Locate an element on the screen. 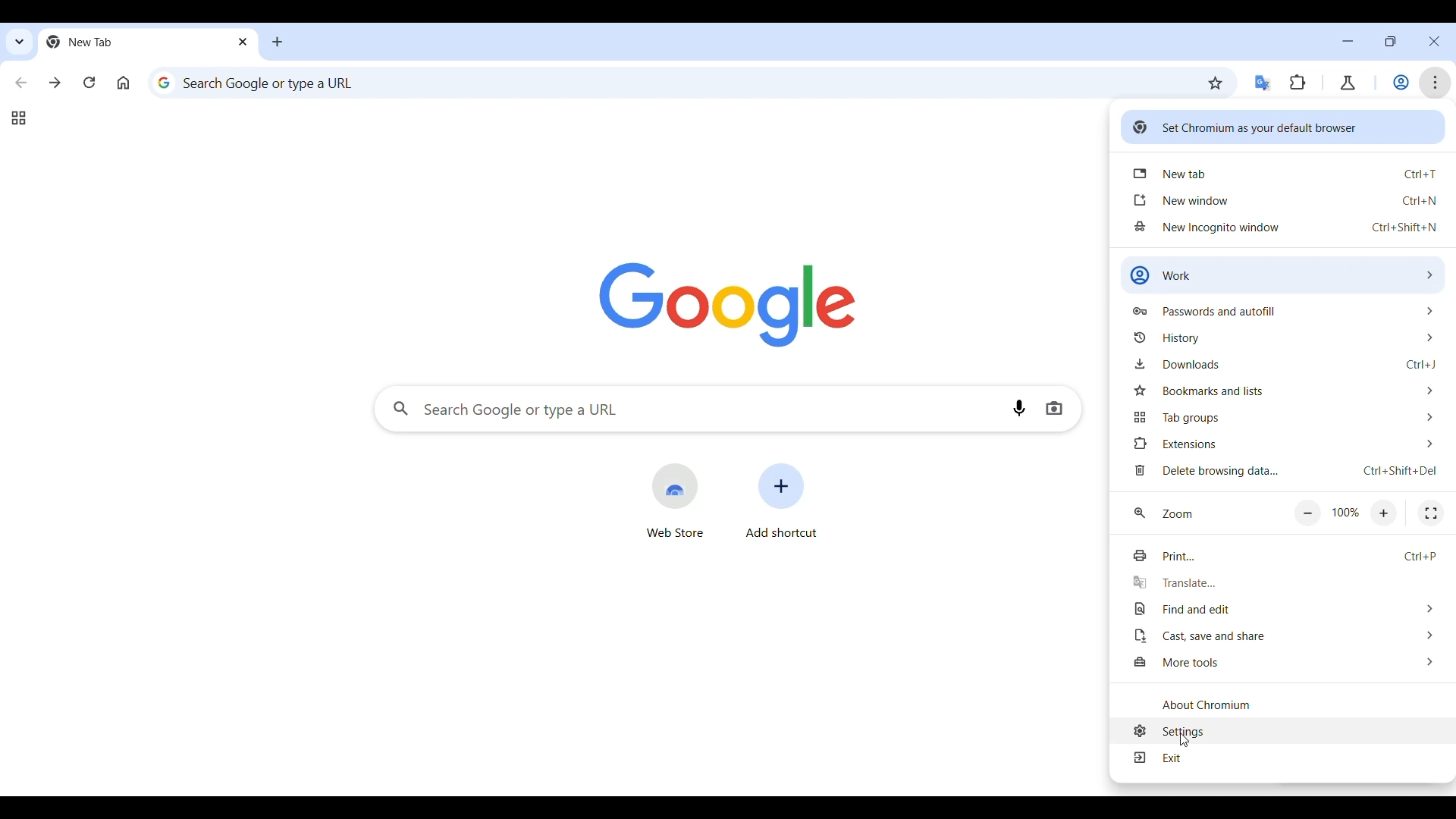 The height and width of the screenshot is (819, 1456). Close tab is located at coordinates (244, 41).